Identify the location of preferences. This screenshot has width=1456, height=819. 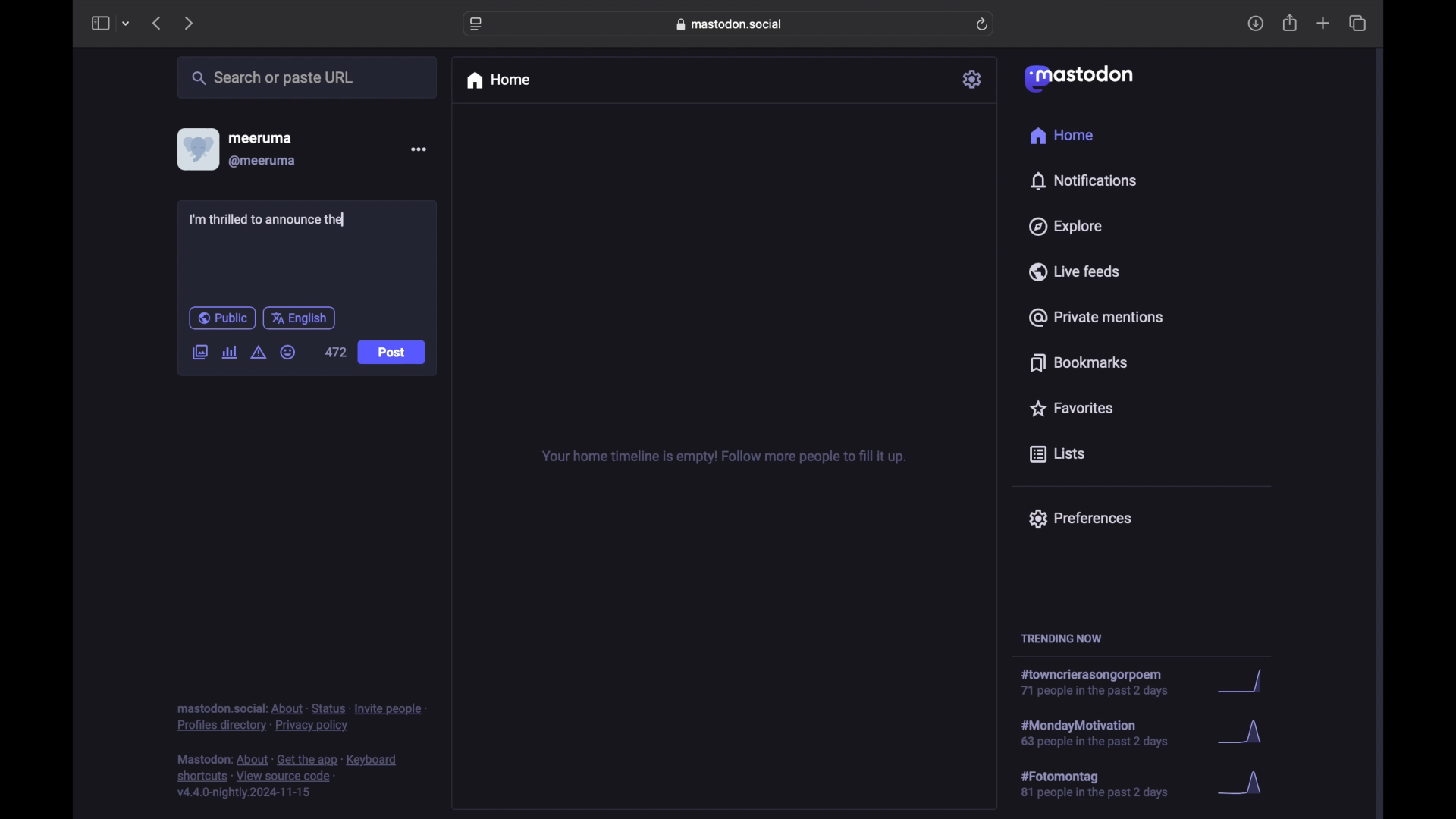
(1080, 519).